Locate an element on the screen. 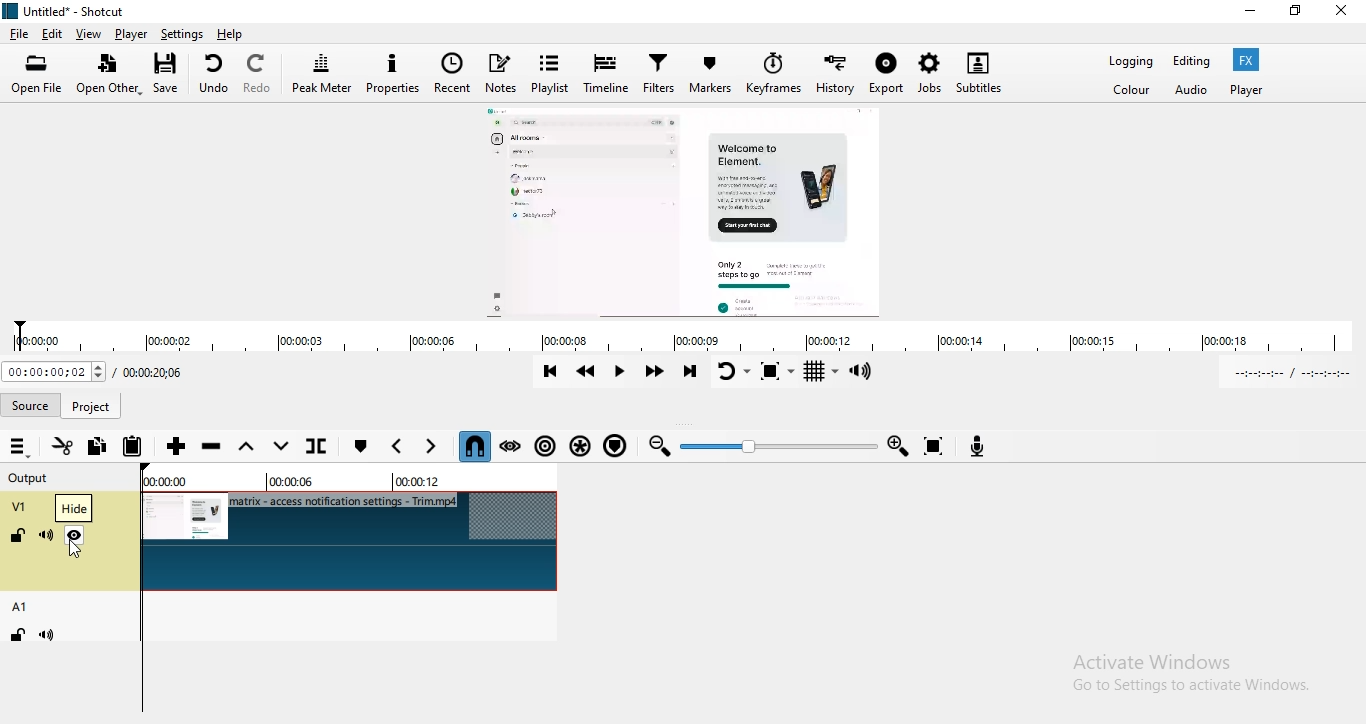 The height and width of the screenshot is (724, 1366). In point is located at coordinates (1295, 374).